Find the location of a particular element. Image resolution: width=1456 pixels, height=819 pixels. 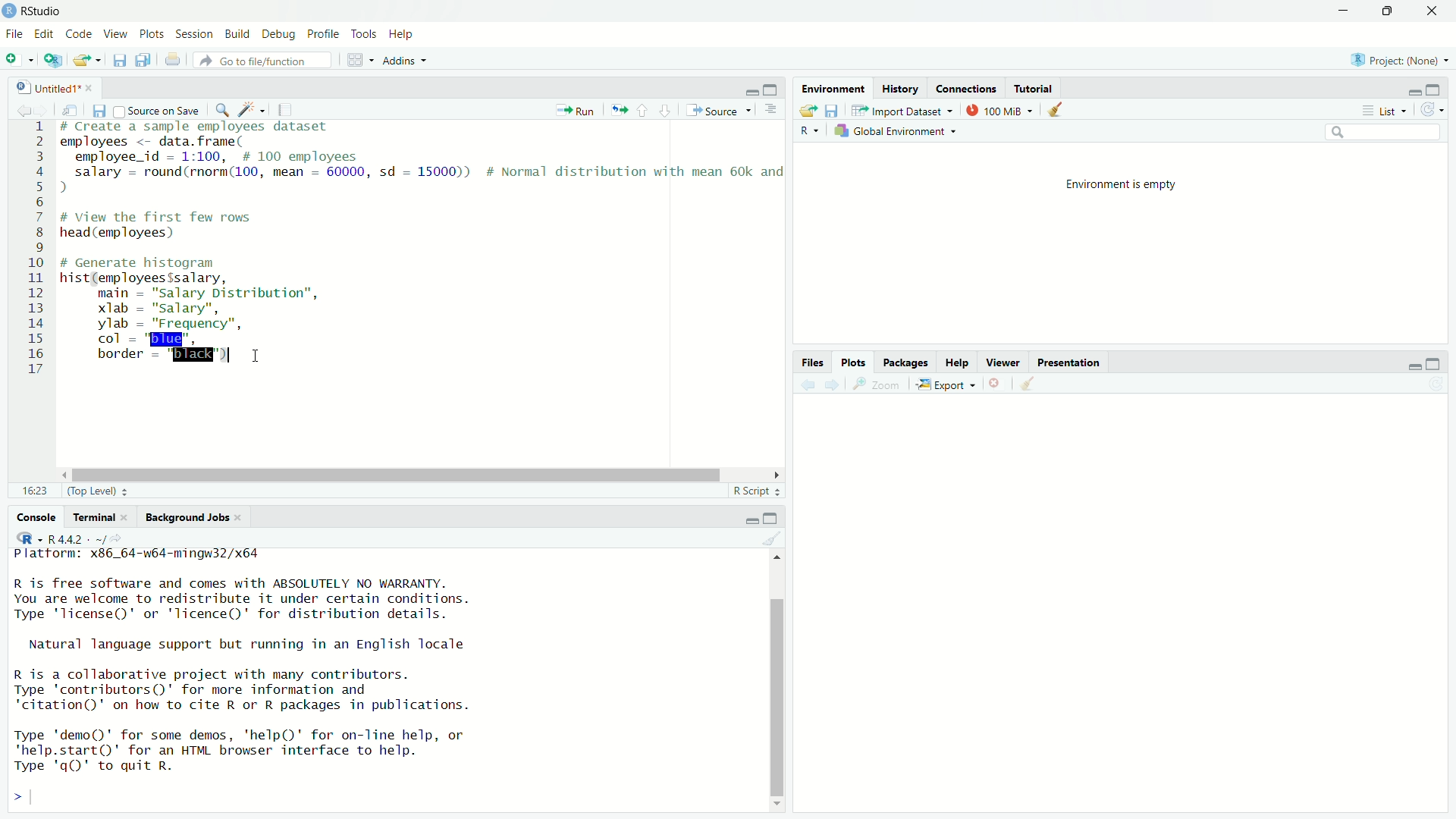

Source is located at coordinates (719, 110).